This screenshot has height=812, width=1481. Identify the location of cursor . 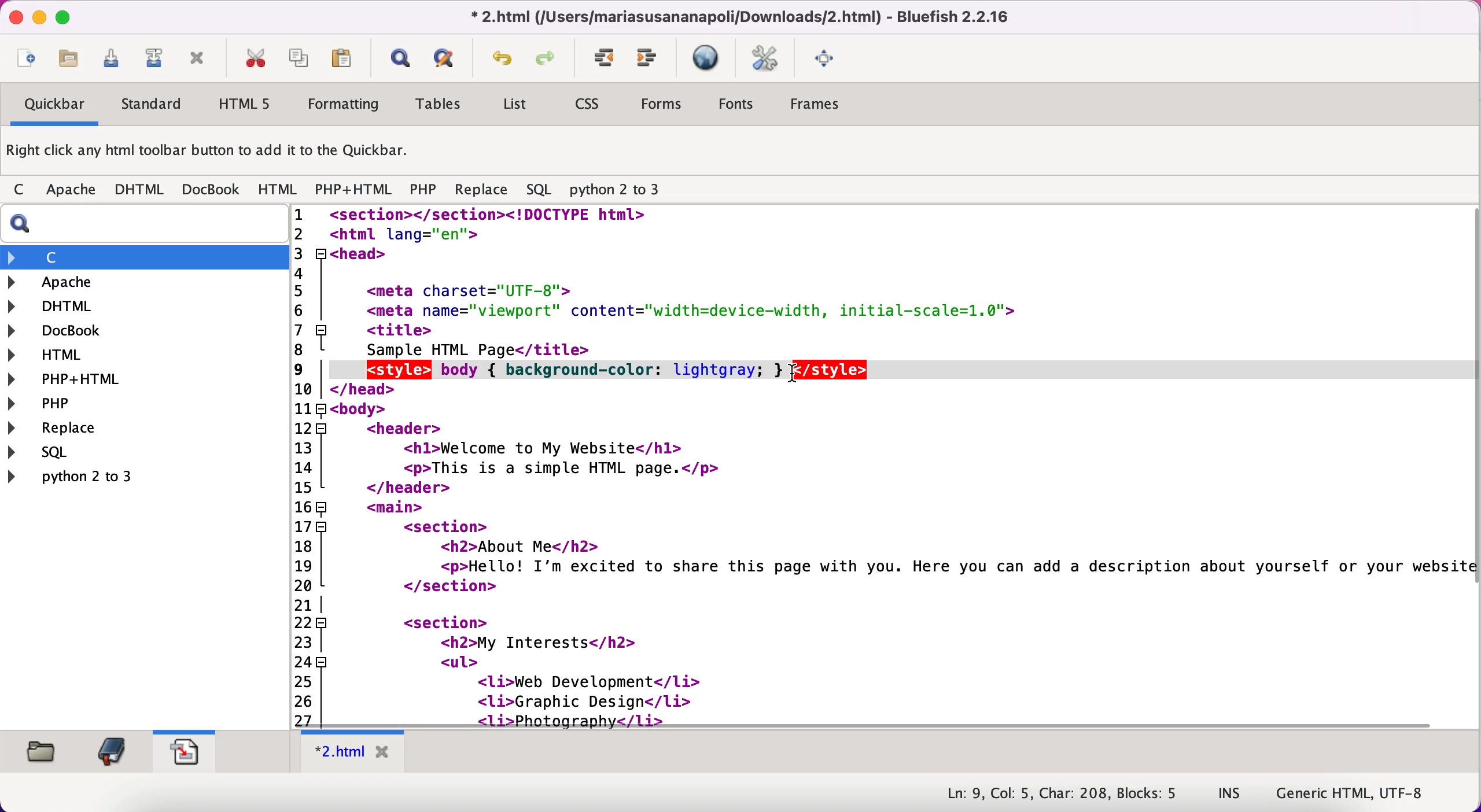
(790, 377).